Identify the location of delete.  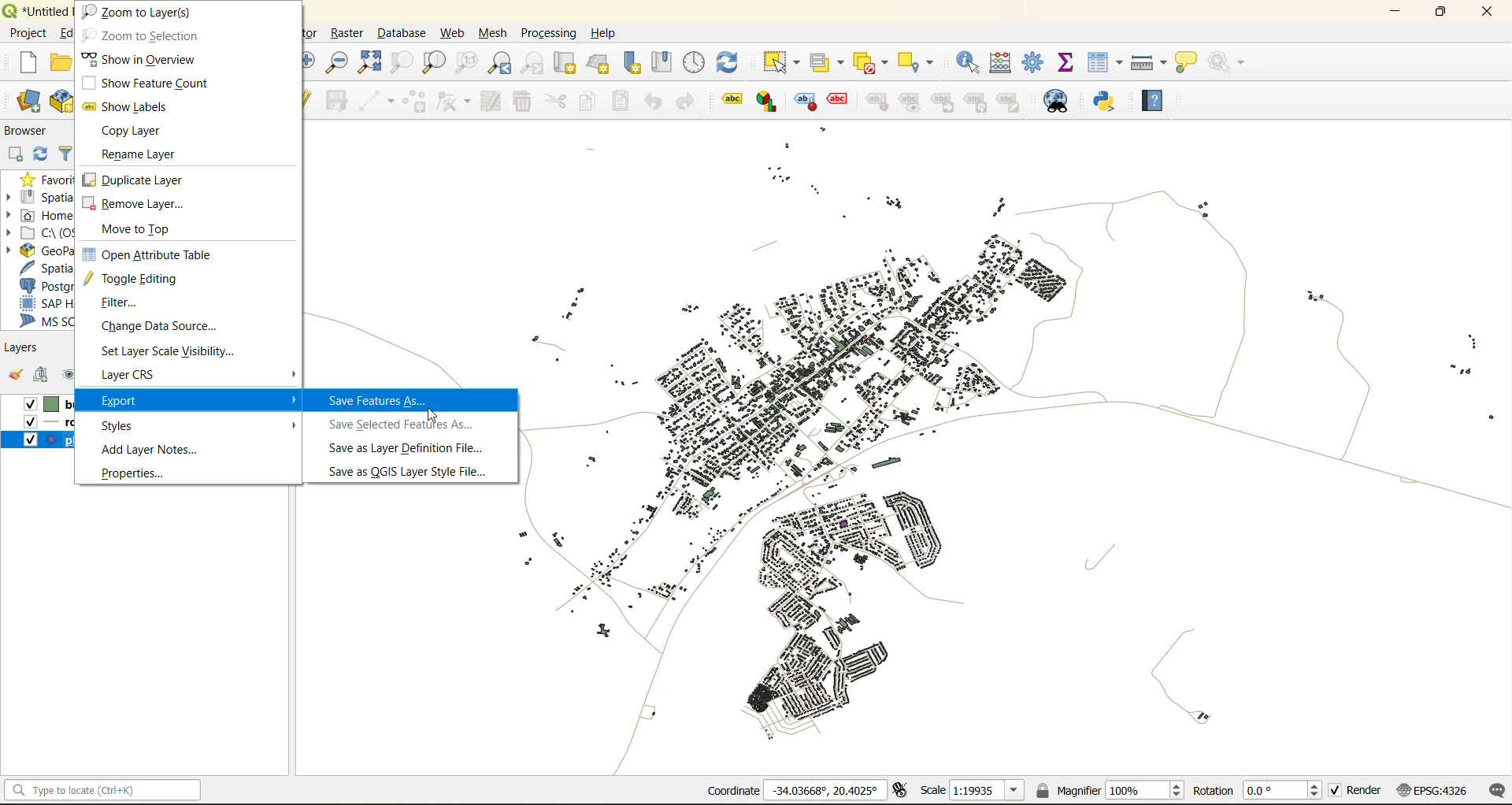
(524, 103).